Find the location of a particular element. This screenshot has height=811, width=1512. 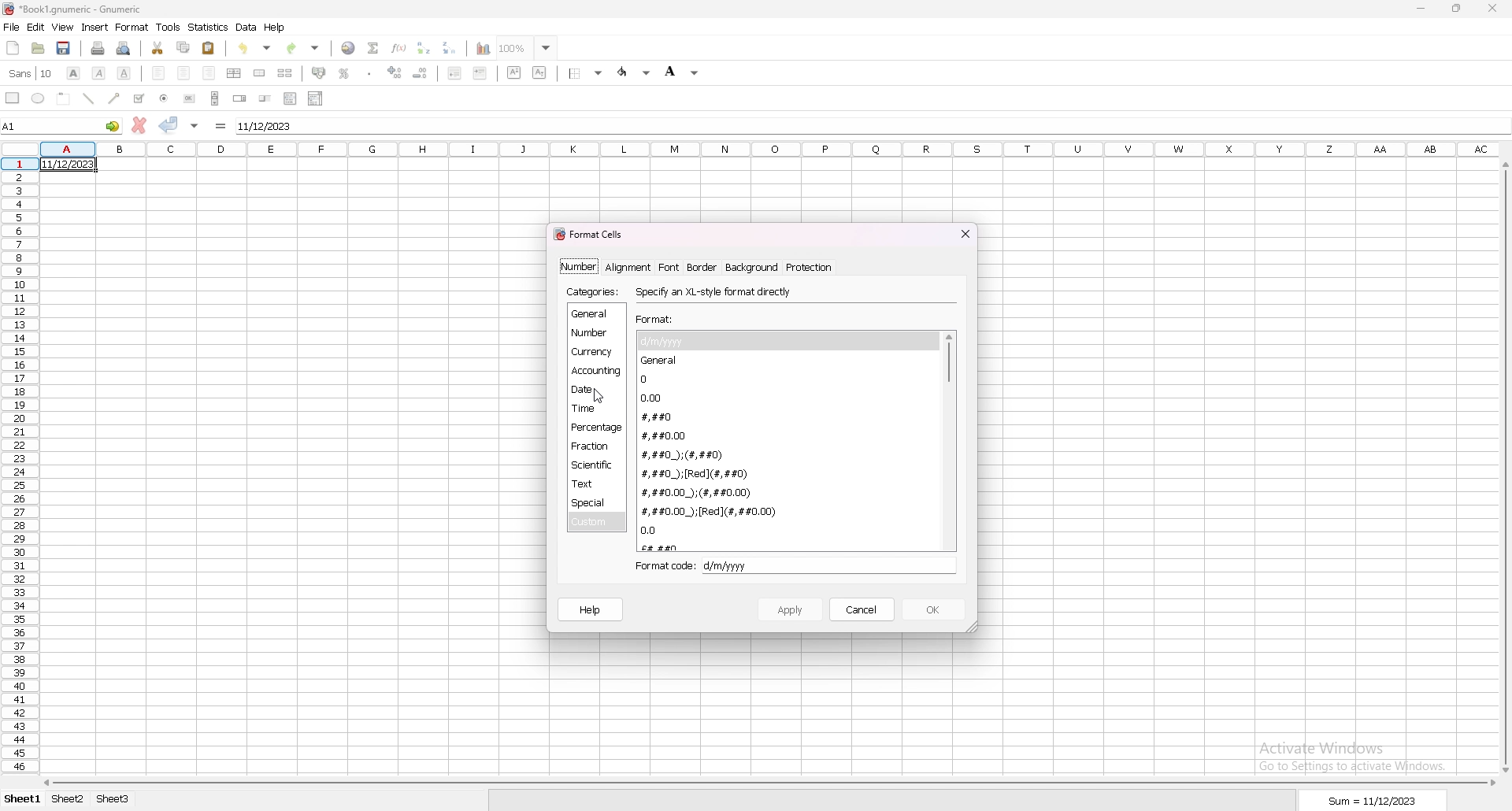

accept changes is located at coordinates (168, 124).